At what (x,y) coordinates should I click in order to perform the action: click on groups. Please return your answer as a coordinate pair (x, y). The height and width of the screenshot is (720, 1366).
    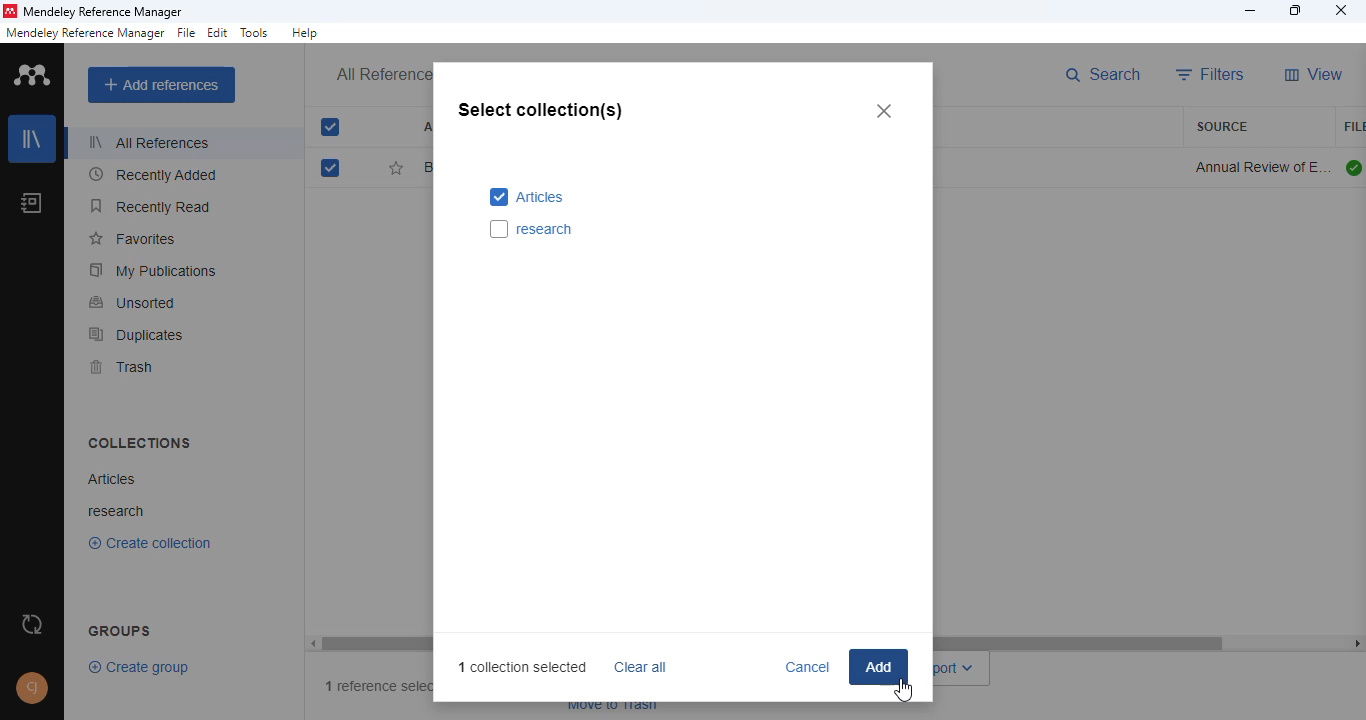
    Looking at the image, I should click on (120, 628).